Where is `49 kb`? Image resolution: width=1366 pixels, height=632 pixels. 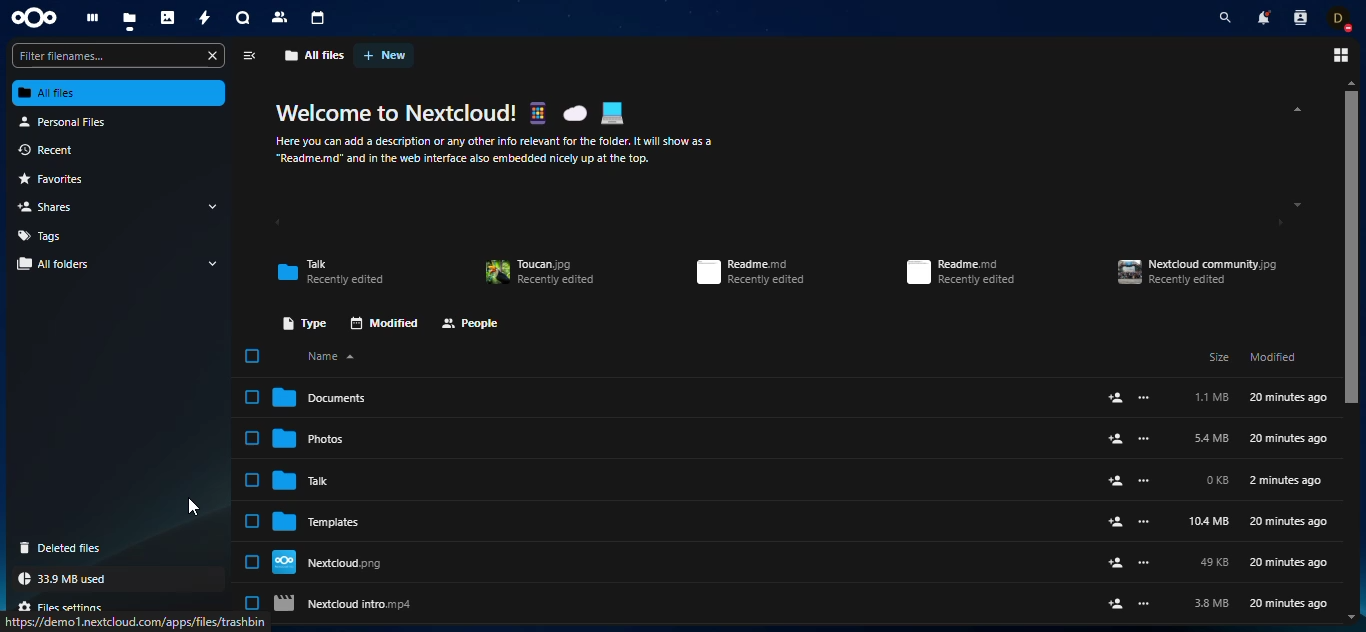
49 kb is located at coordinates (1215, 563).